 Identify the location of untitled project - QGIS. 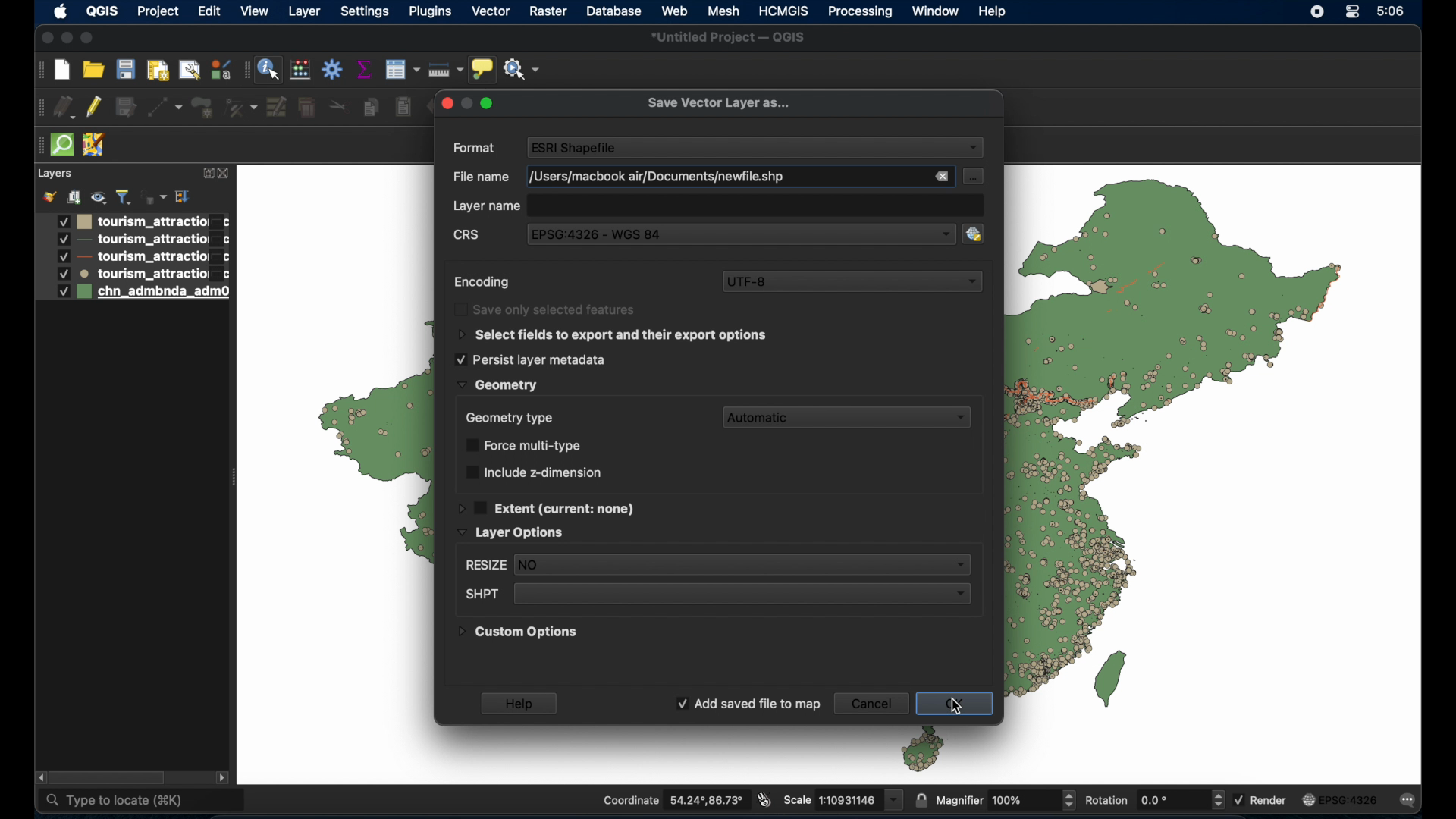
(729, 37).